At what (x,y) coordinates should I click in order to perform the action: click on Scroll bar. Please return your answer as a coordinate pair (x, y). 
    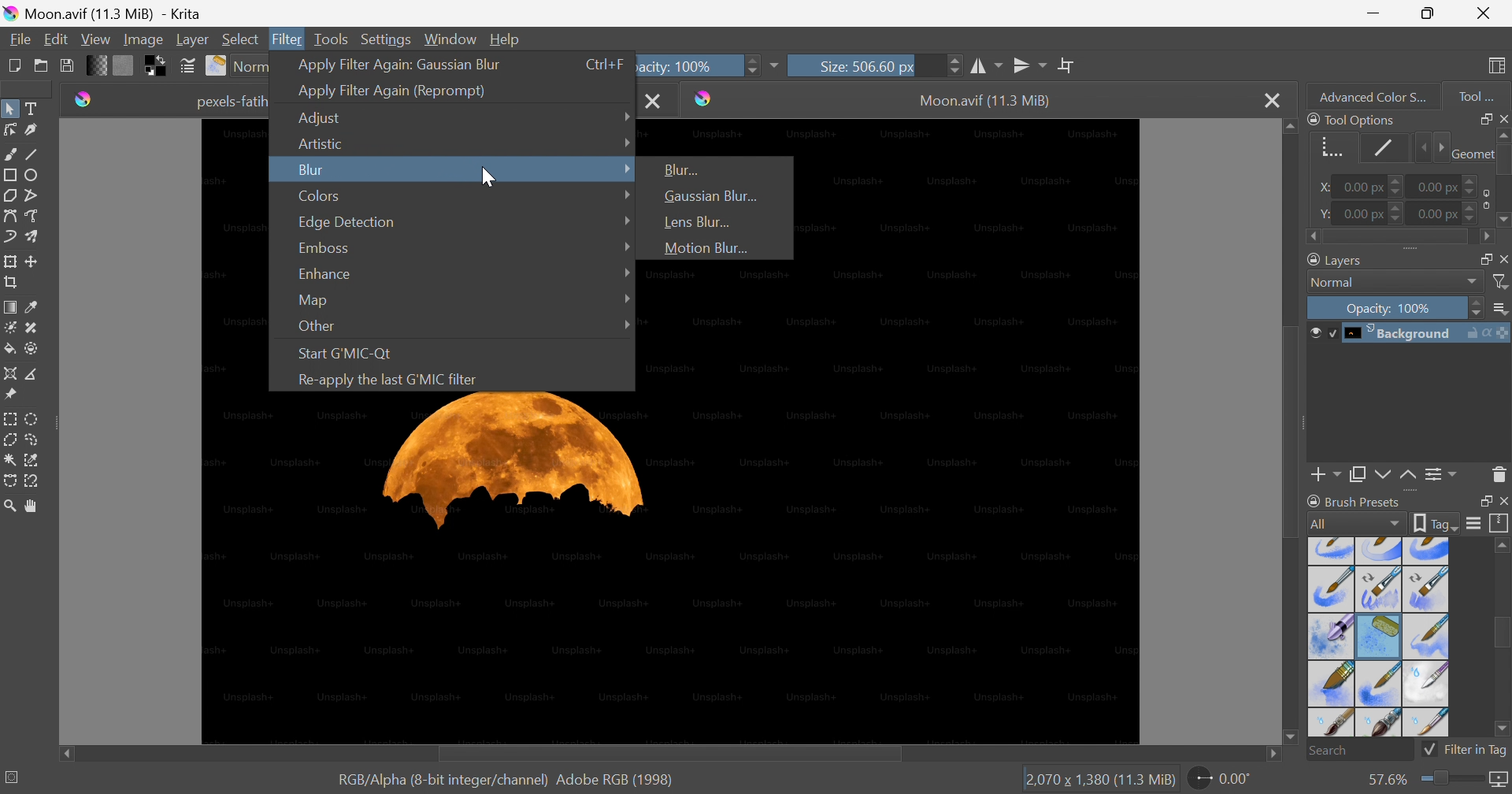
    Looking at the image, I should click on (1503, 633).